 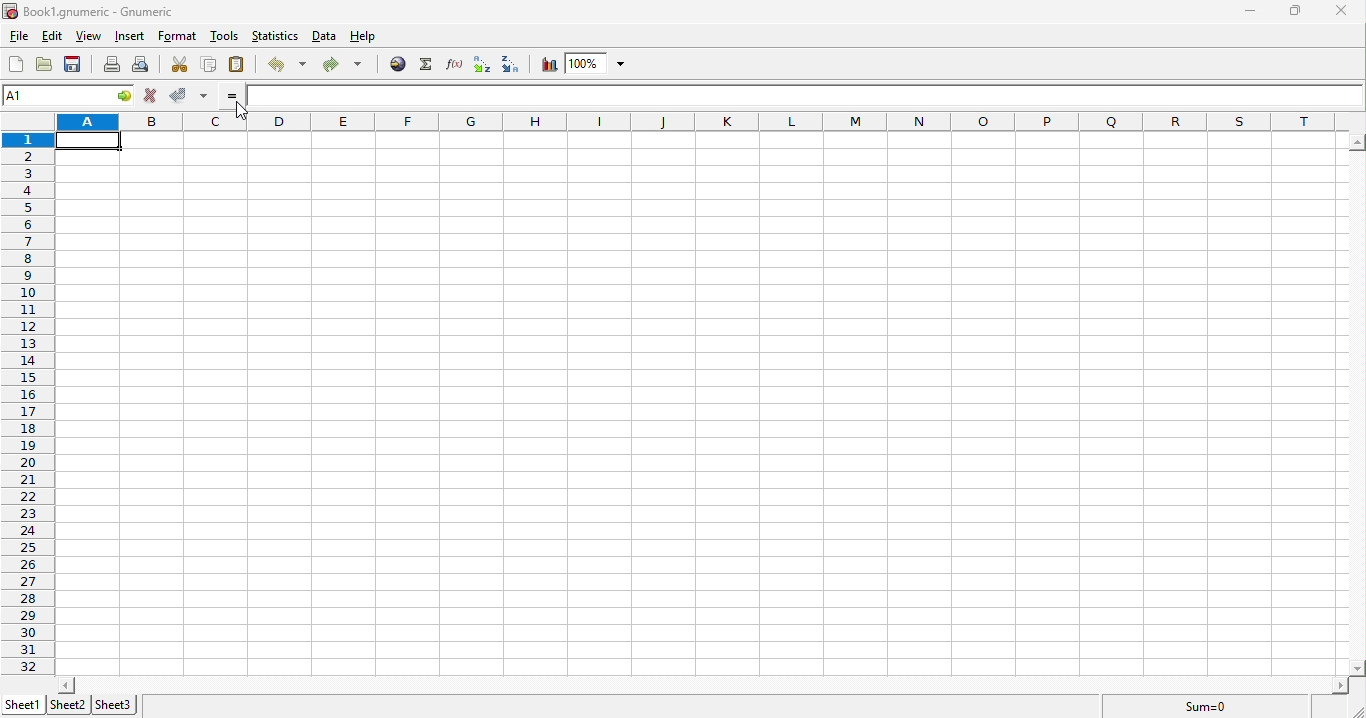 I want to click on function wizard, so click(x=455, y=64).